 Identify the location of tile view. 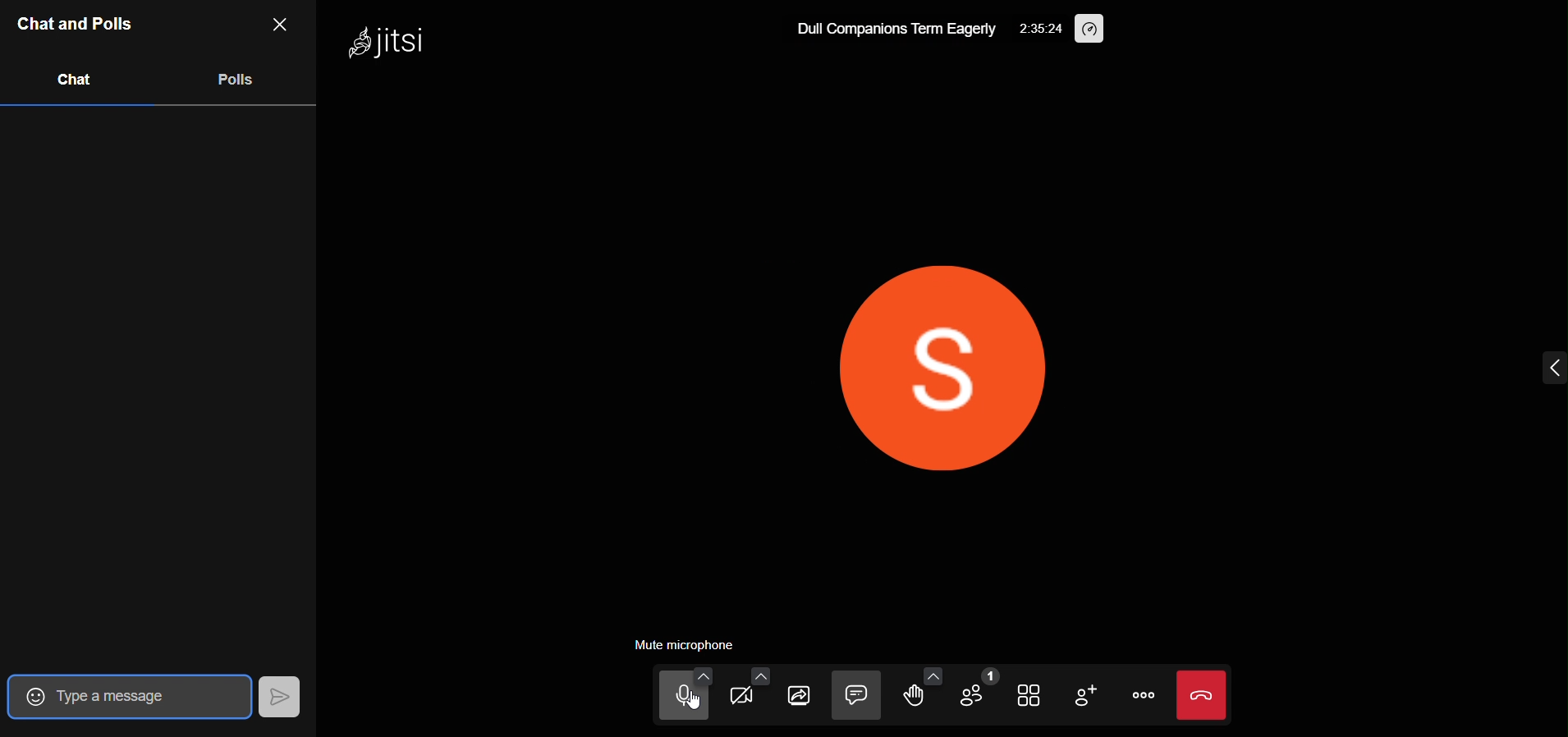
(1031, 692).